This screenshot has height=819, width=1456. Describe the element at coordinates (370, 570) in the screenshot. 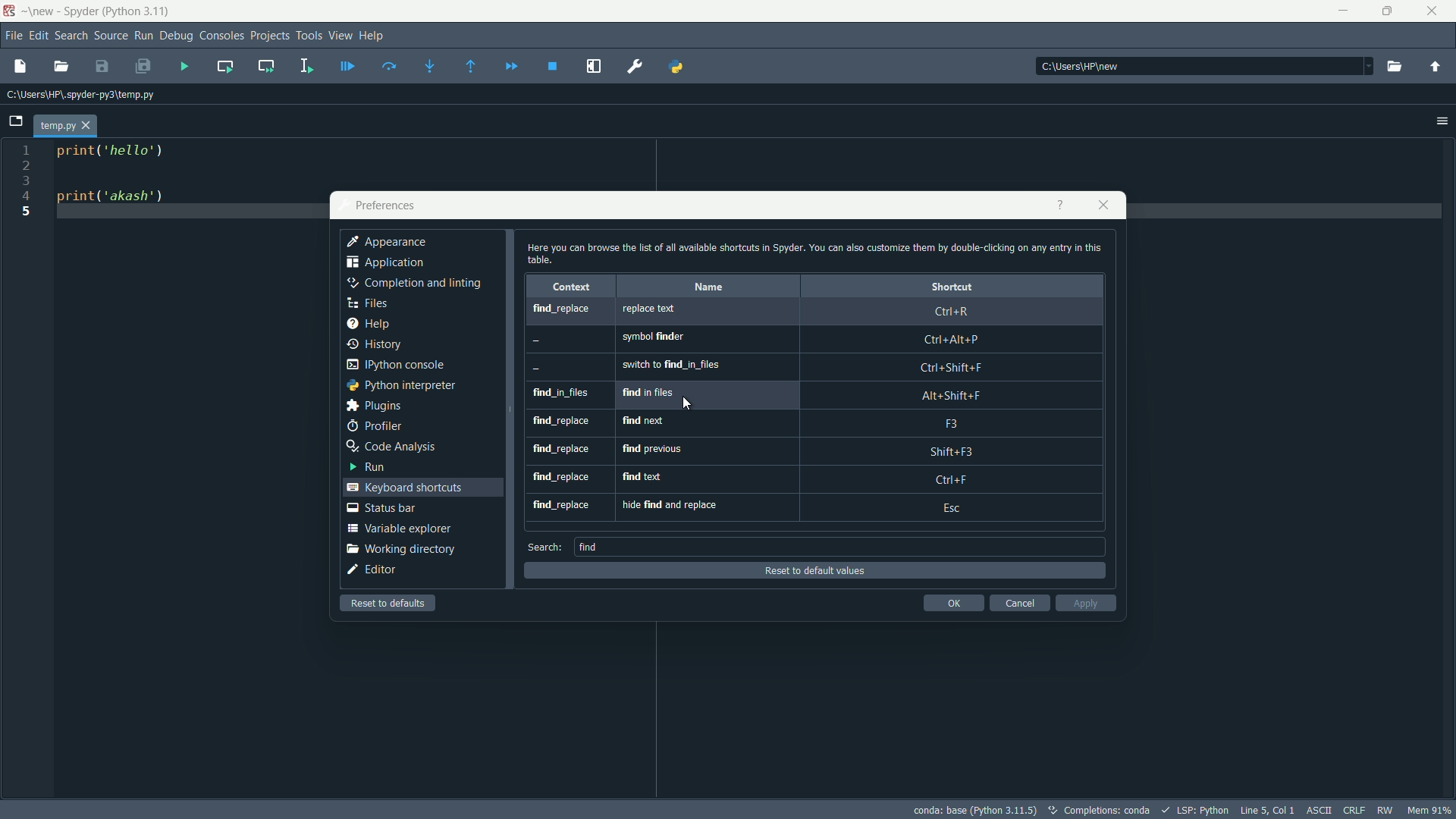

I see `editor` at that location.